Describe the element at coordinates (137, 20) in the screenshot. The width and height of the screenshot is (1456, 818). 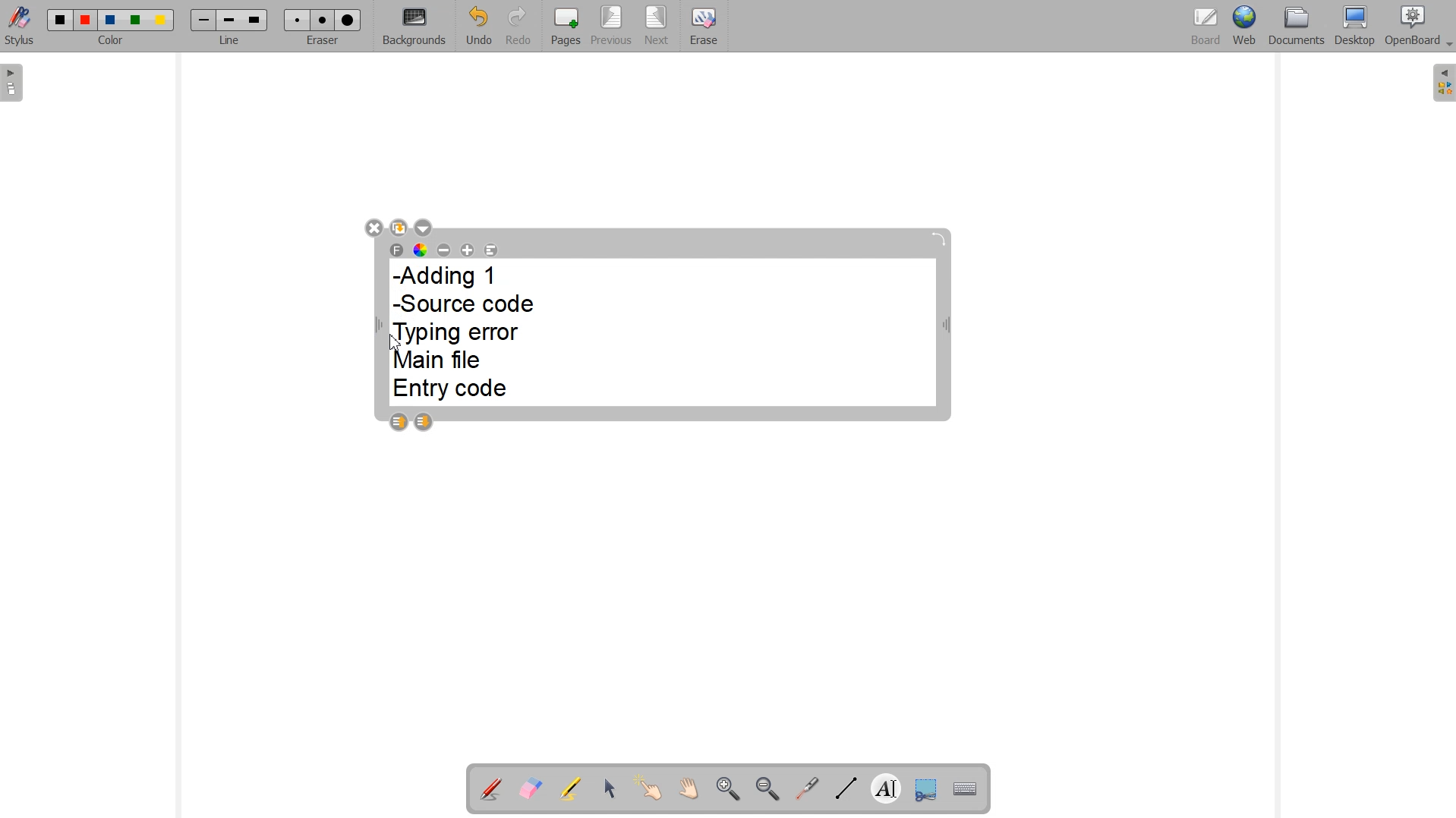
I see `Color 4` at that location.